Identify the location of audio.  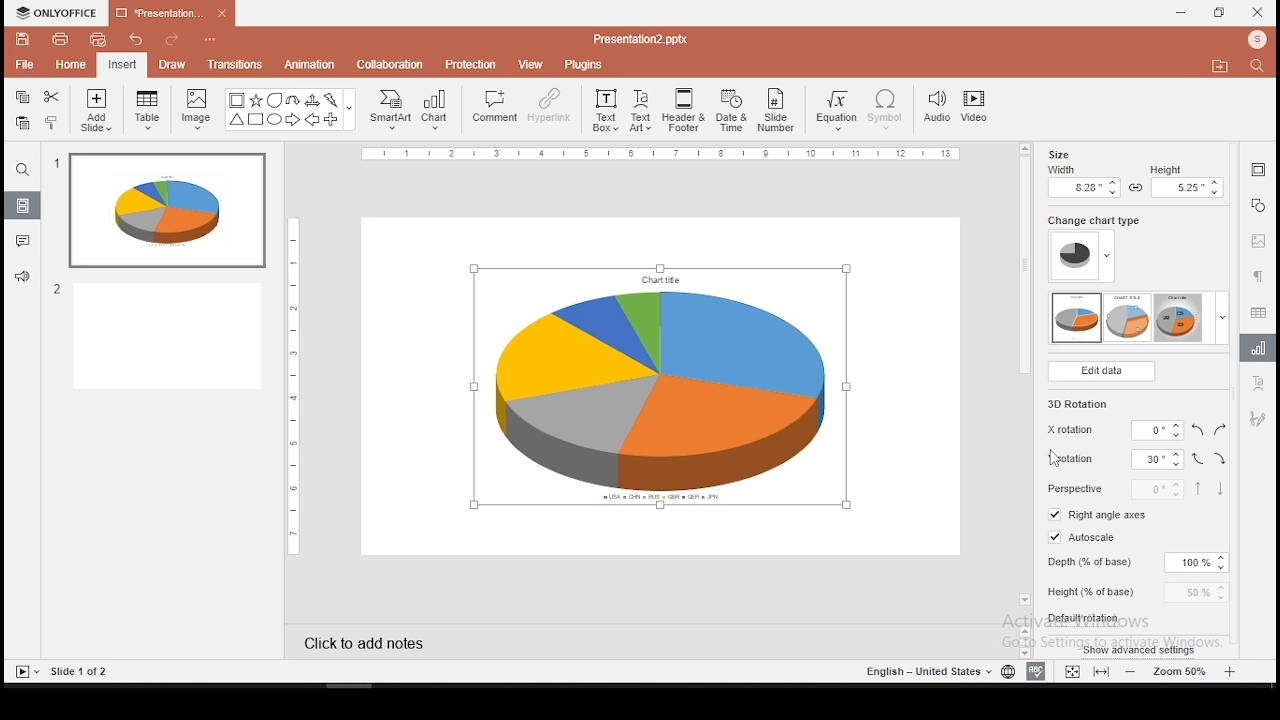
(937, 107).